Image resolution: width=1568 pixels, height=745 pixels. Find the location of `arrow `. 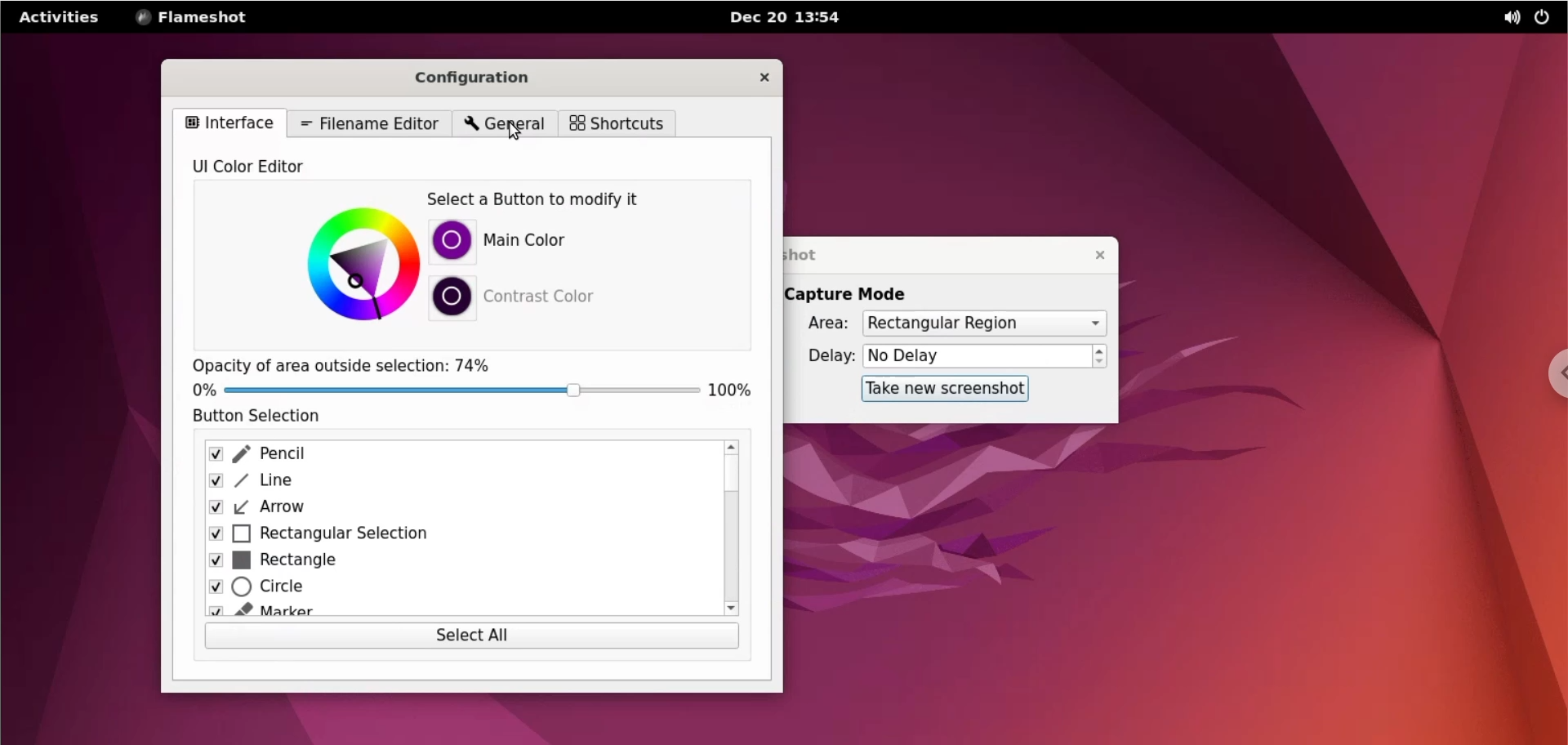

arrow  is located at coordinates (453, 509).